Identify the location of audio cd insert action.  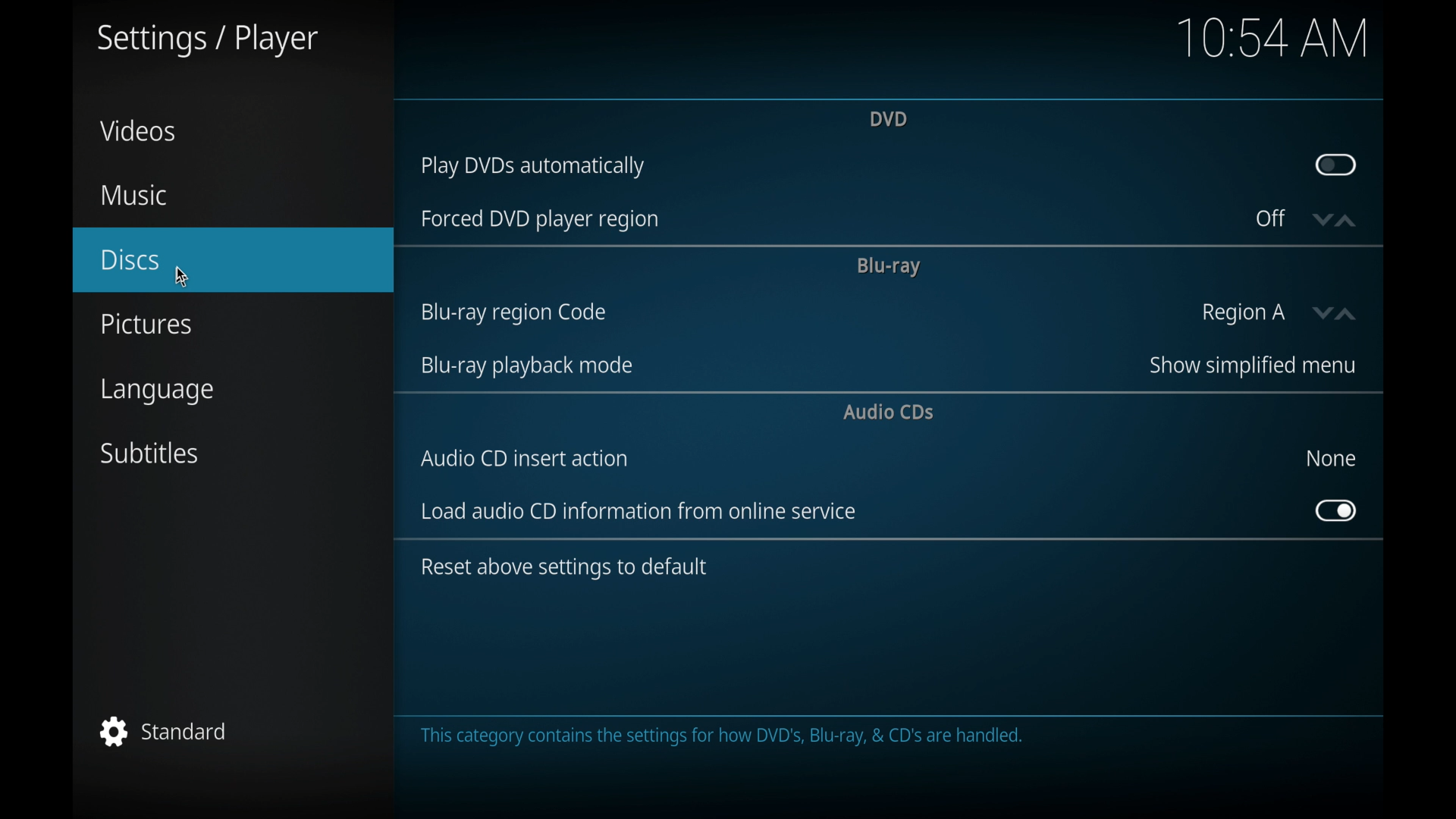
(525, 458).